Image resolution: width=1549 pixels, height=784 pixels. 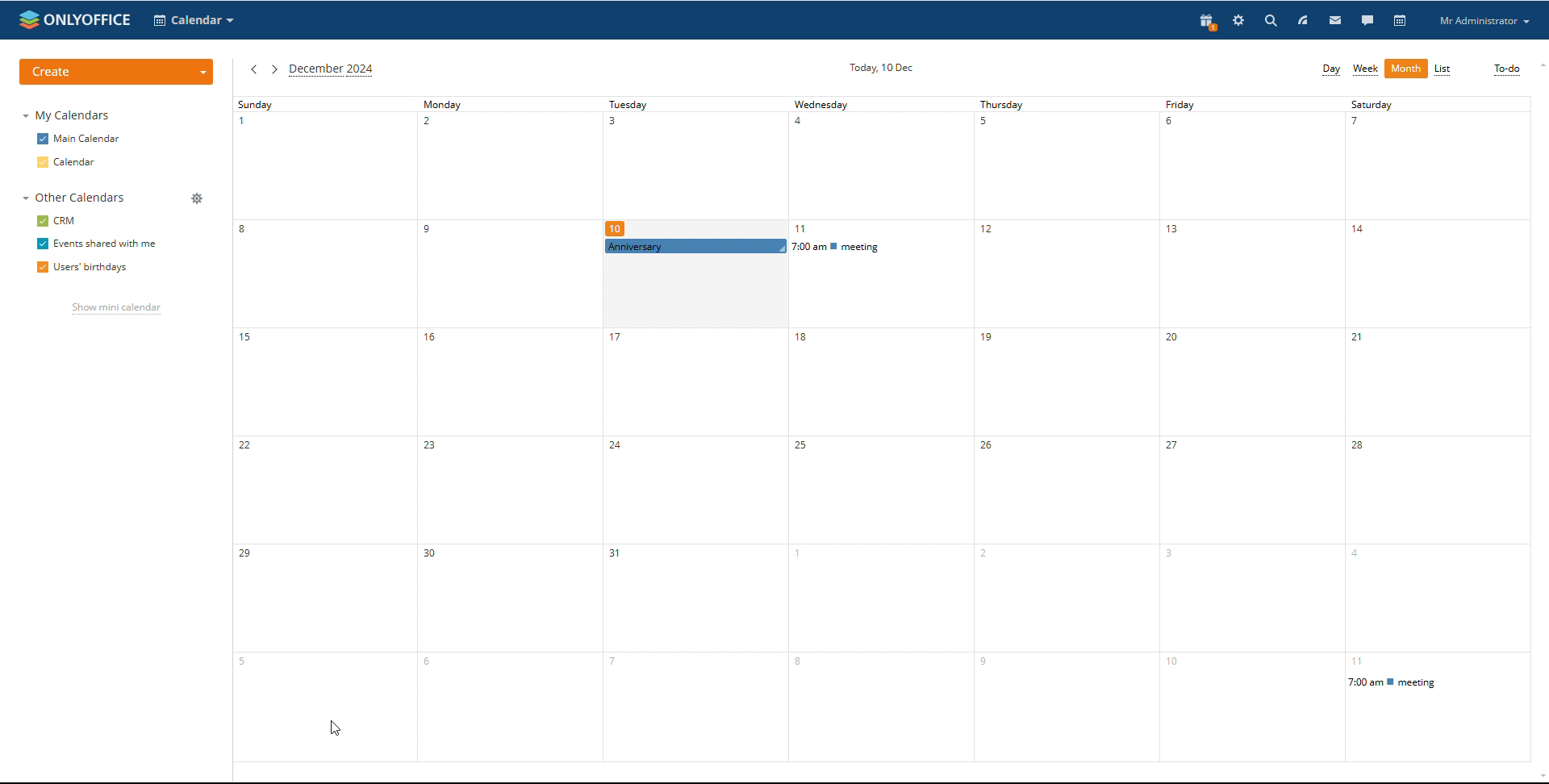 I want to click on day view, so click(x=1331, y=69).